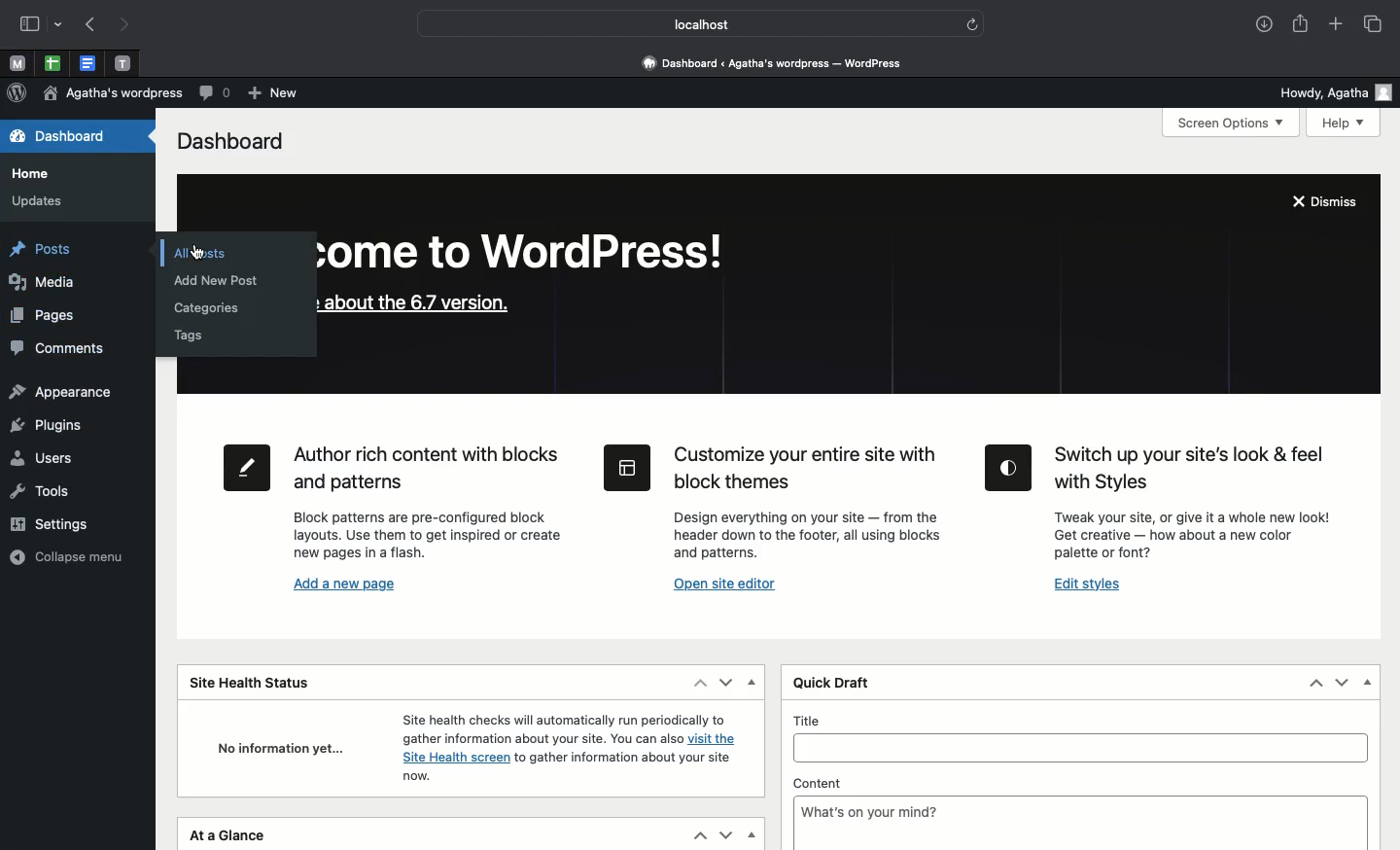 This screenshot has height=850, width=1400. I want to click on Tags, so click(195, 336).